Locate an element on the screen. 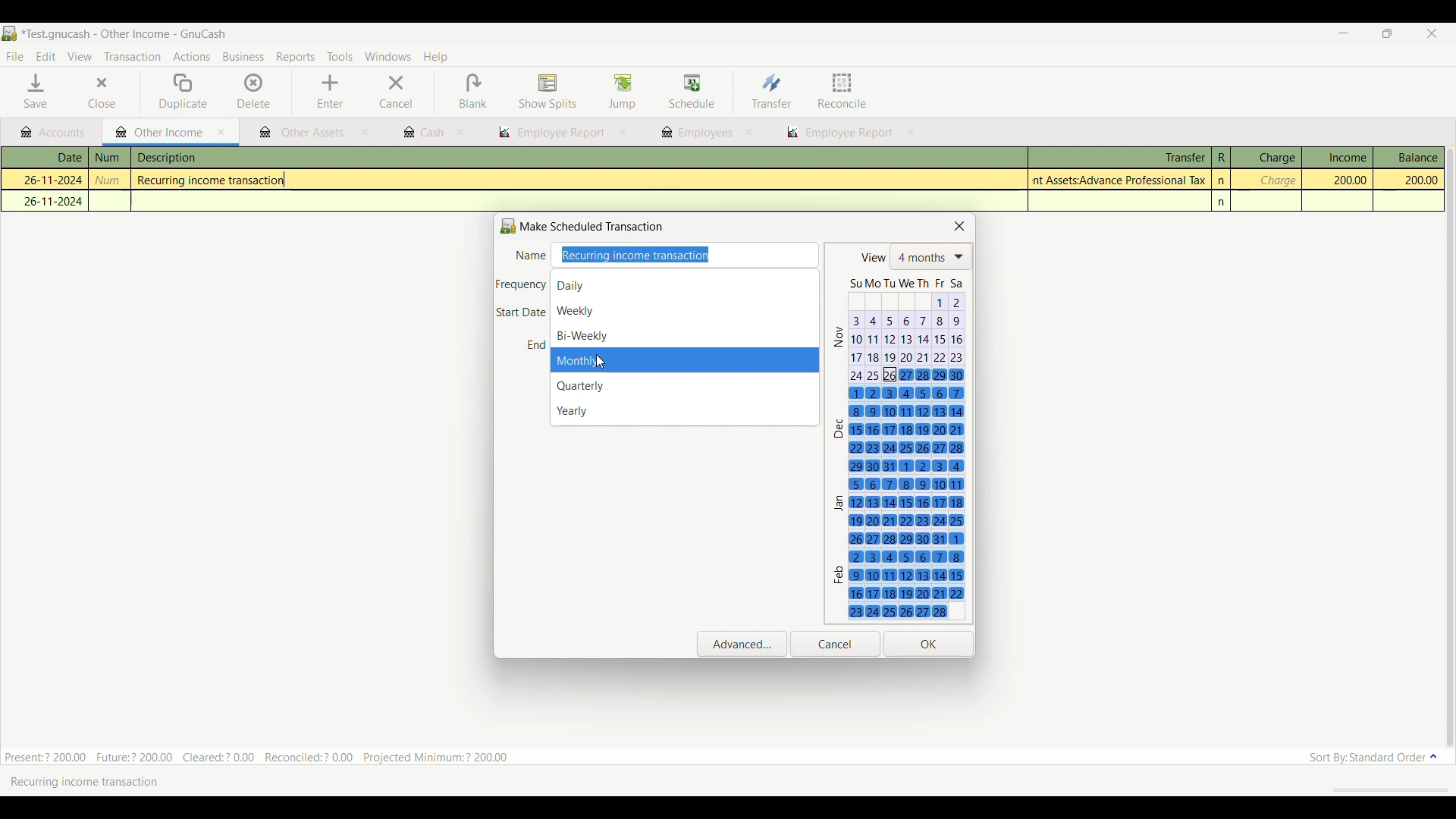  Charge column is located at coordinates (1266, 158).